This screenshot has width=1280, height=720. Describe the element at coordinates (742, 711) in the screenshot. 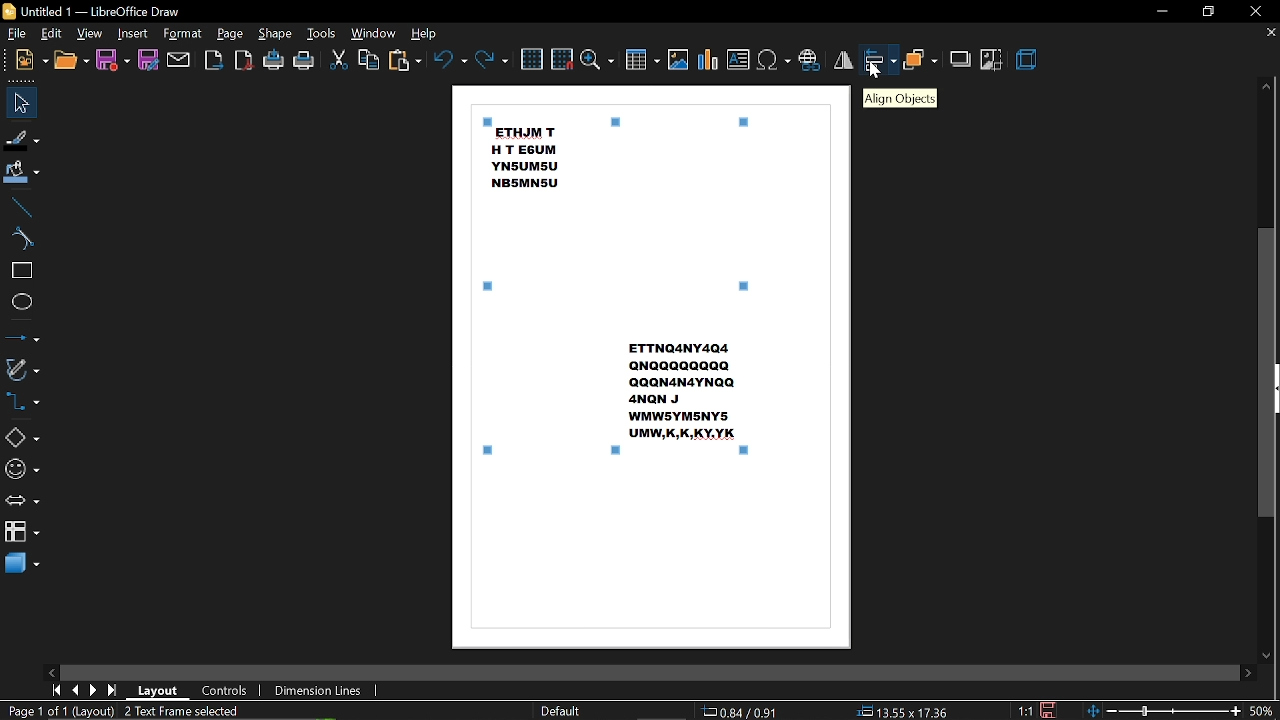

I see `0.54/0.91` at that location.